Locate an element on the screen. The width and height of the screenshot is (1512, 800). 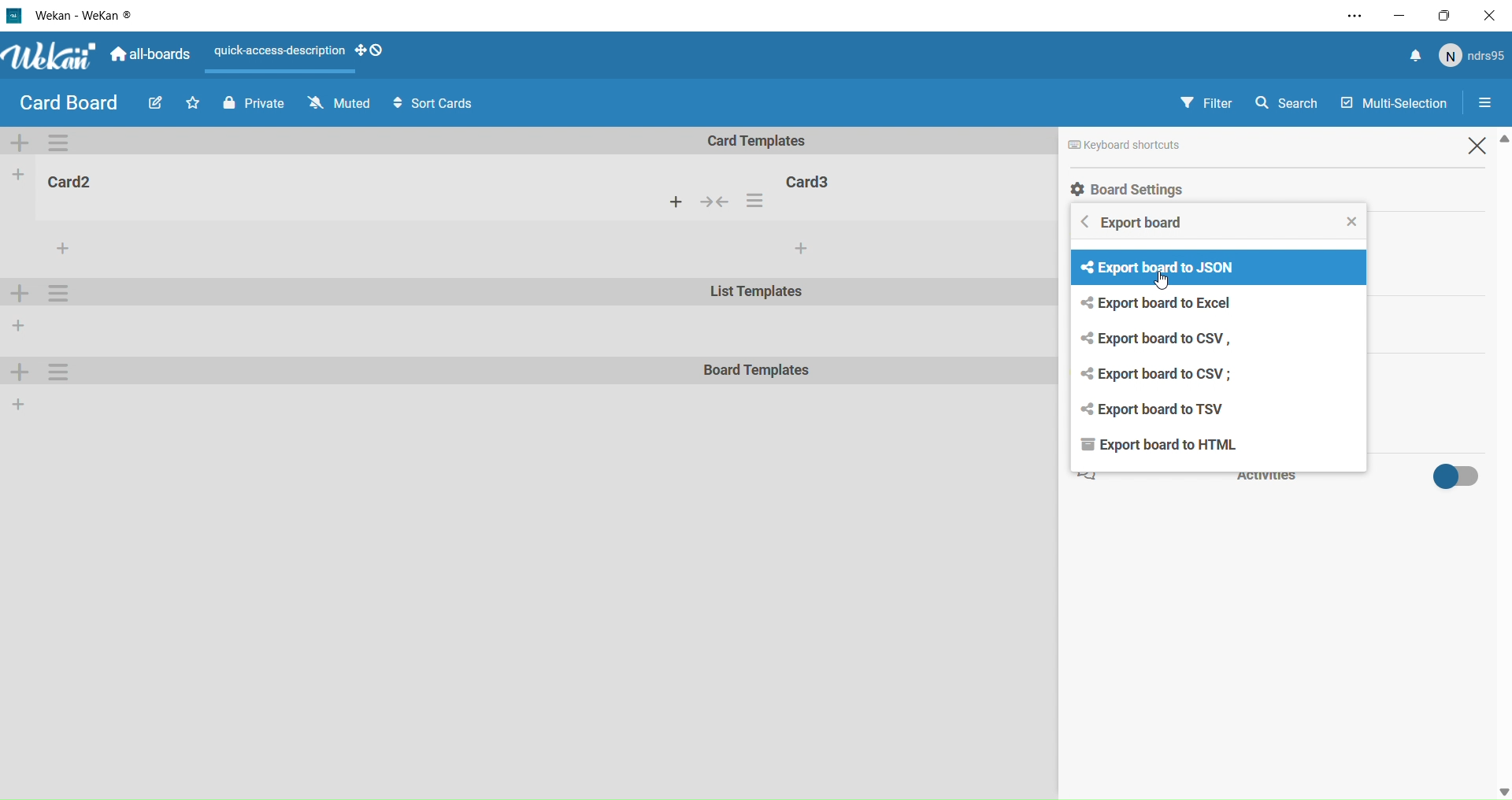
Card3 is located at coordinates (812, 180).